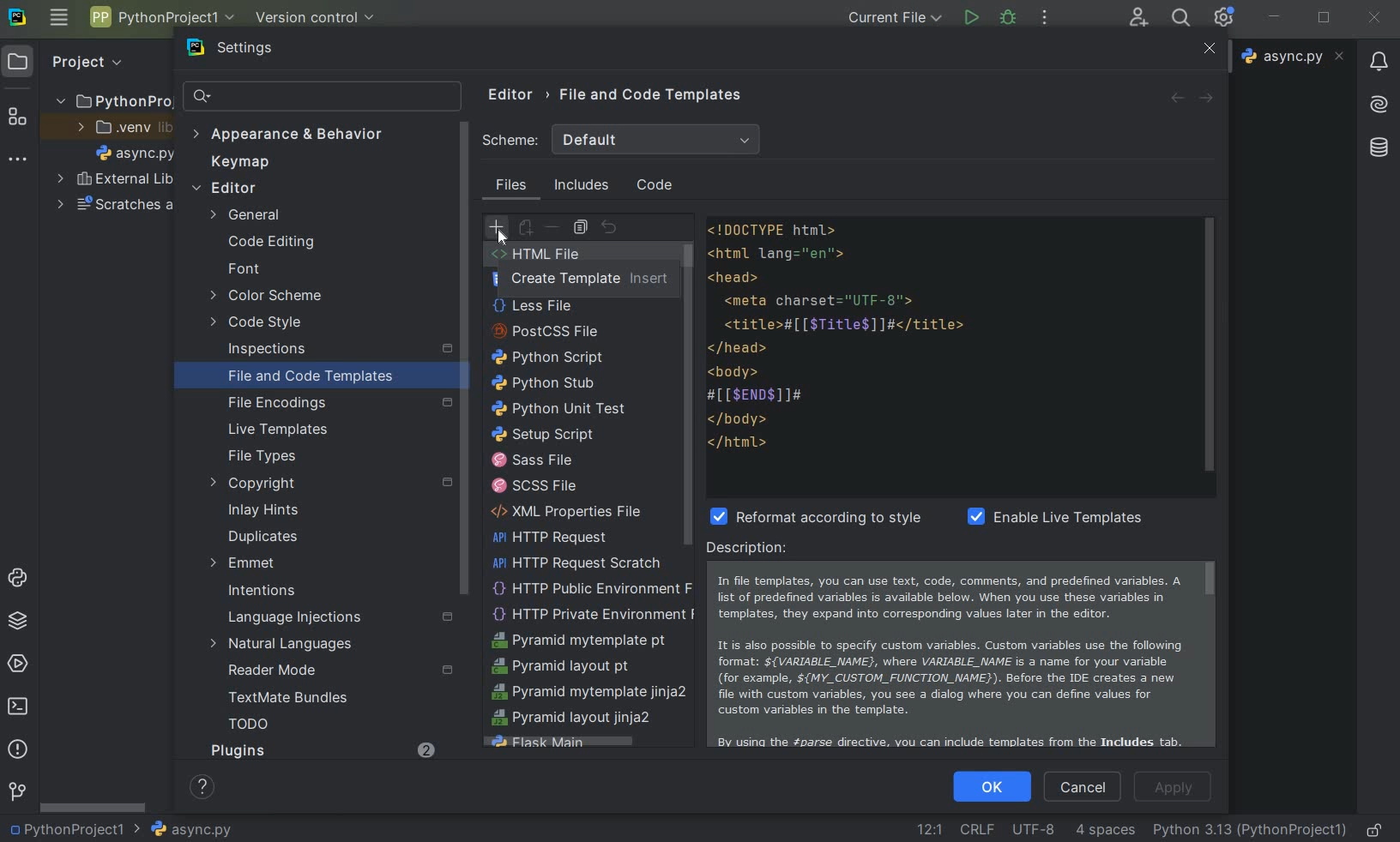 Image resolution: width=1400 pixels, height=842 pixels. Describe the element at coordinates (161, 17) in the screenshot. I see `project name` at that location.